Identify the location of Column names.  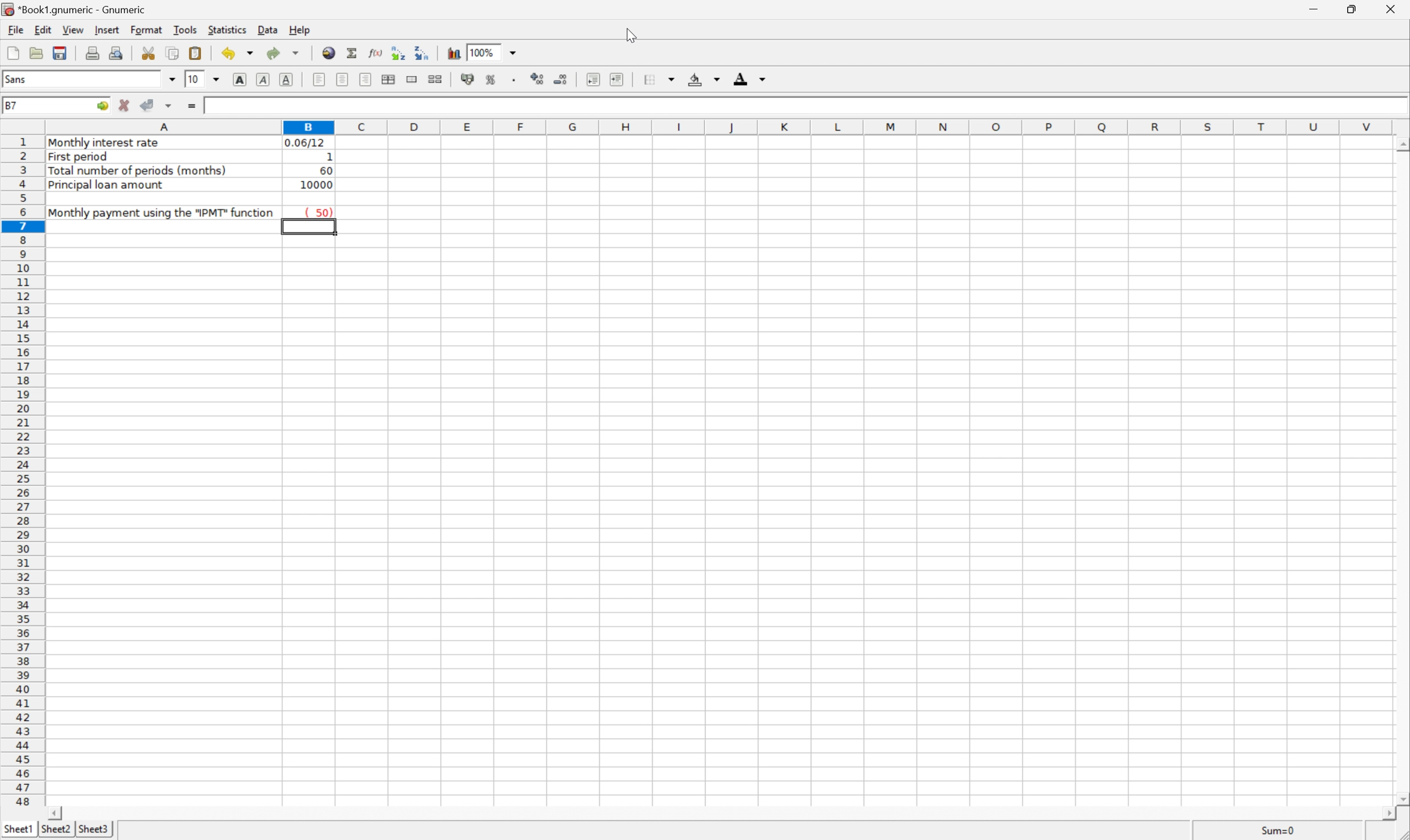
(719, 128).